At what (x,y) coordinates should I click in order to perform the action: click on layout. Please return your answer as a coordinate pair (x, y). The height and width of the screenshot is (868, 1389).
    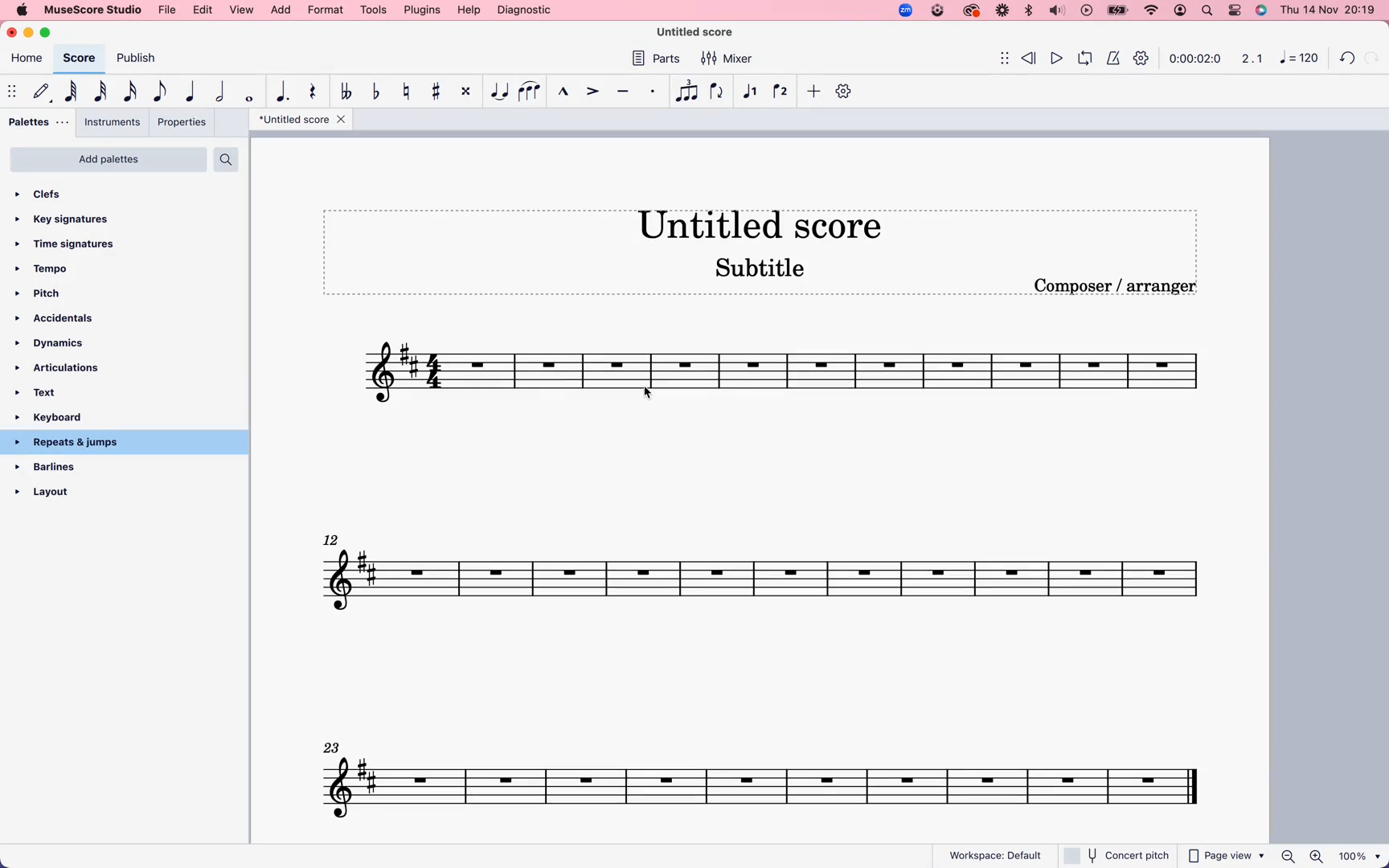
    Looking at the image, I should click on (104, 489).